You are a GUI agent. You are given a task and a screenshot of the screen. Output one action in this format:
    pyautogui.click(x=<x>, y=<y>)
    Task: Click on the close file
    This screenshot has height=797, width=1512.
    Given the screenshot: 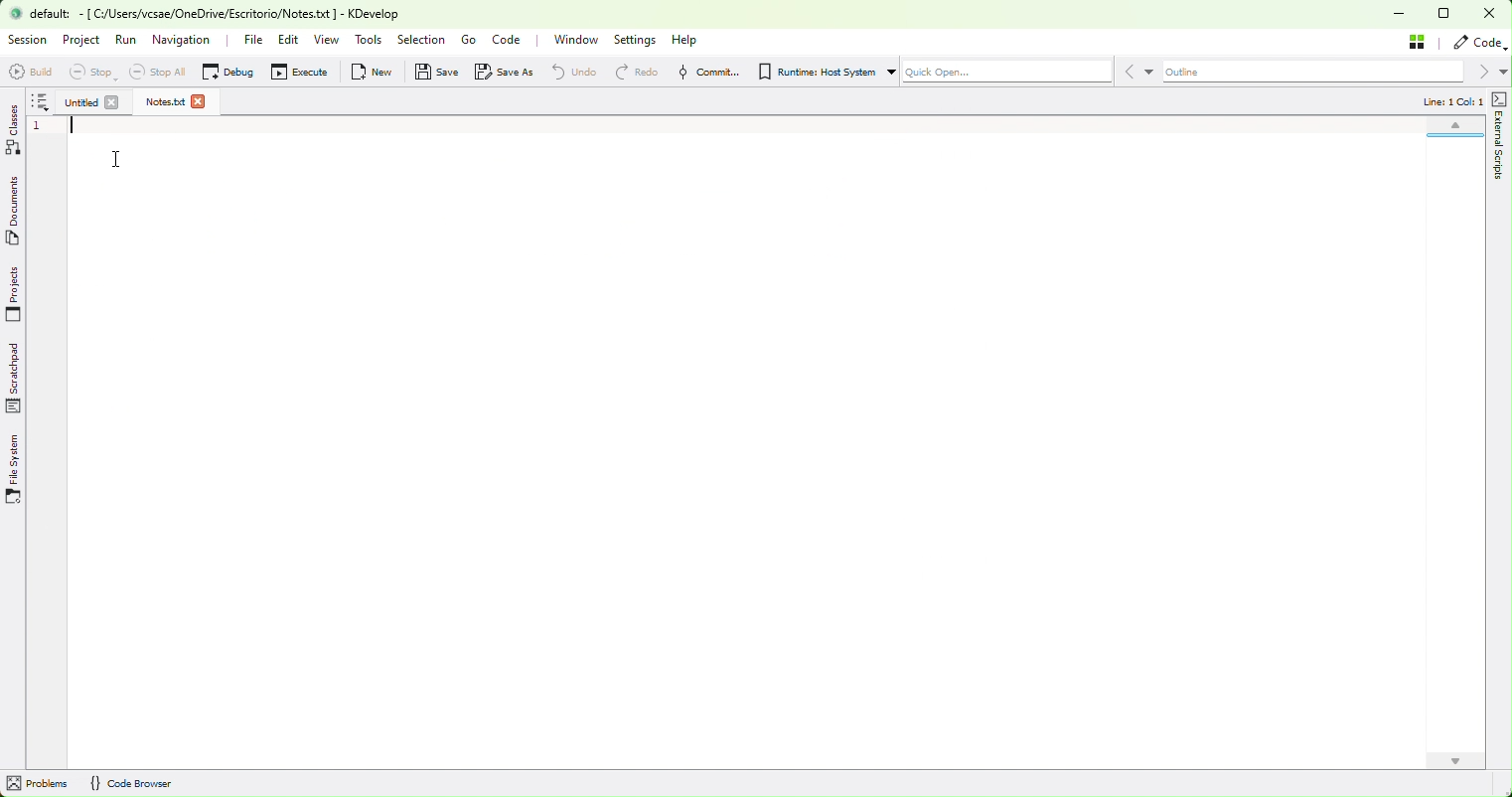 What is the action you would take?
    pyautogui.click(x=113, y=103)
    